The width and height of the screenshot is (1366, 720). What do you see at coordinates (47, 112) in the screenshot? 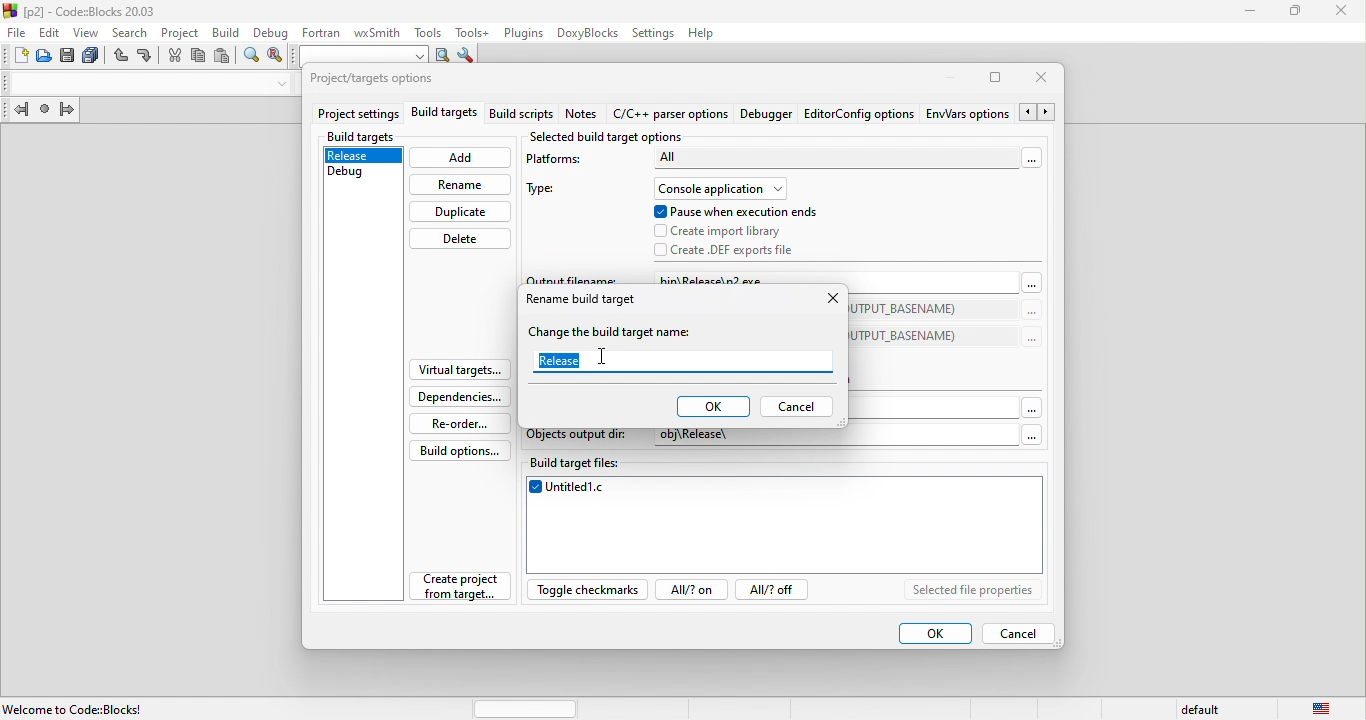
I see `last jump` at bounding box center [47, 112].